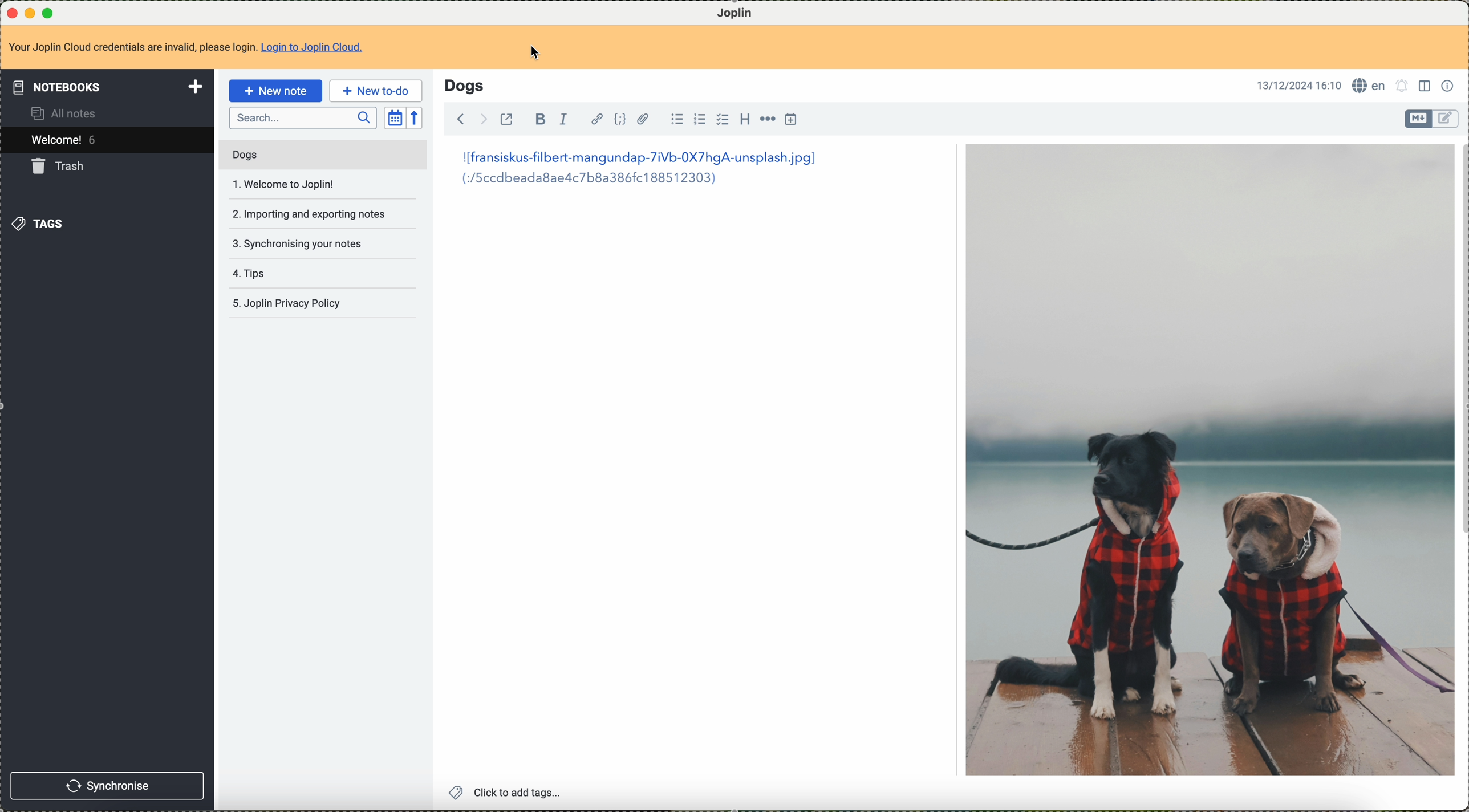 Image resolution: width=1469 pixels, height=812 pixels. What do you see at coordinates (676, 120) in the screenshot?
I see `bulleted list` at bounding box center [676, 120].